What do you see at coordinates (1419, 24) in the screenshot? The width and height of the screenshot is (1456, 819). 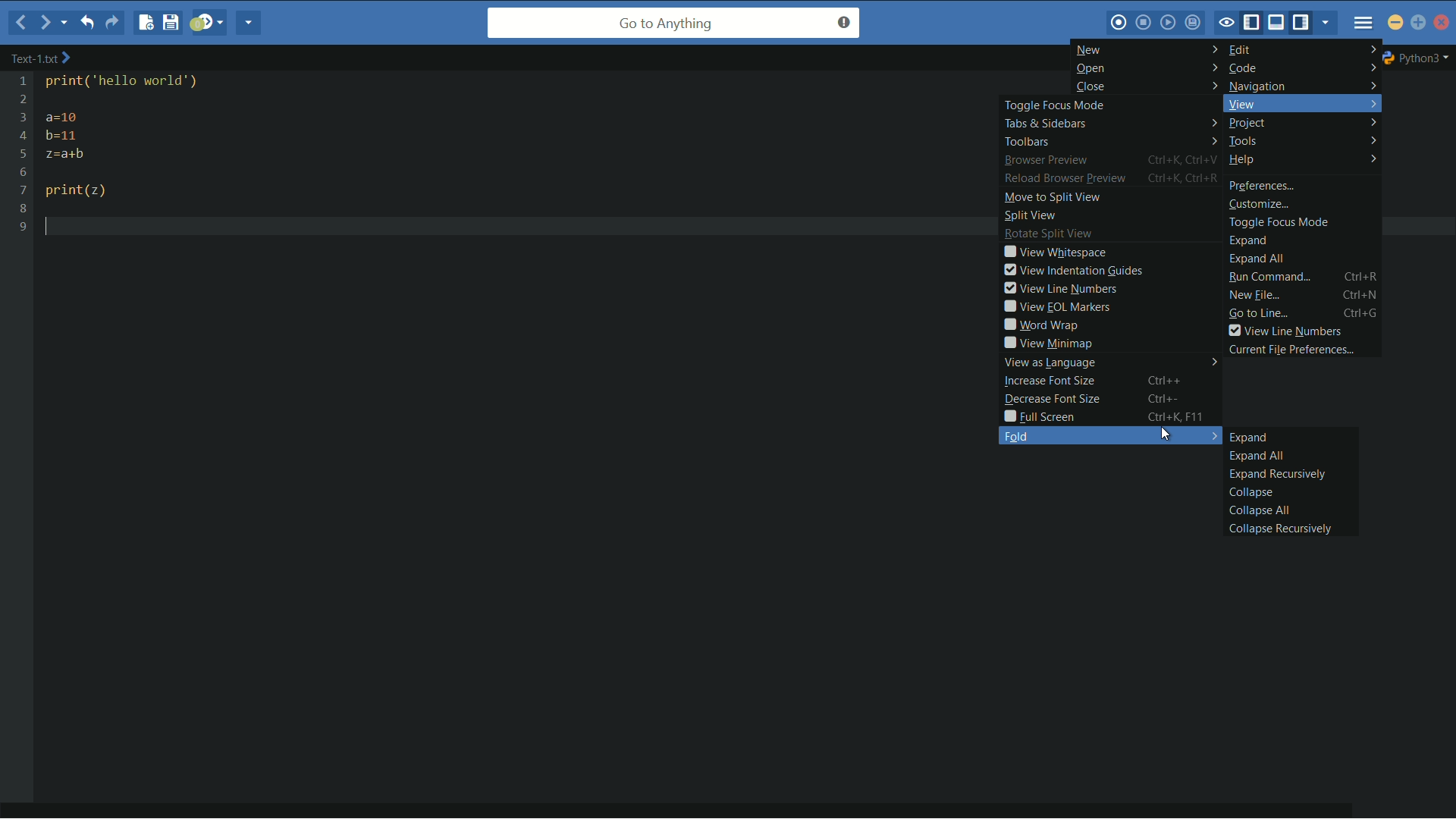 I see `maximize` at bounding box center [1419, 24].